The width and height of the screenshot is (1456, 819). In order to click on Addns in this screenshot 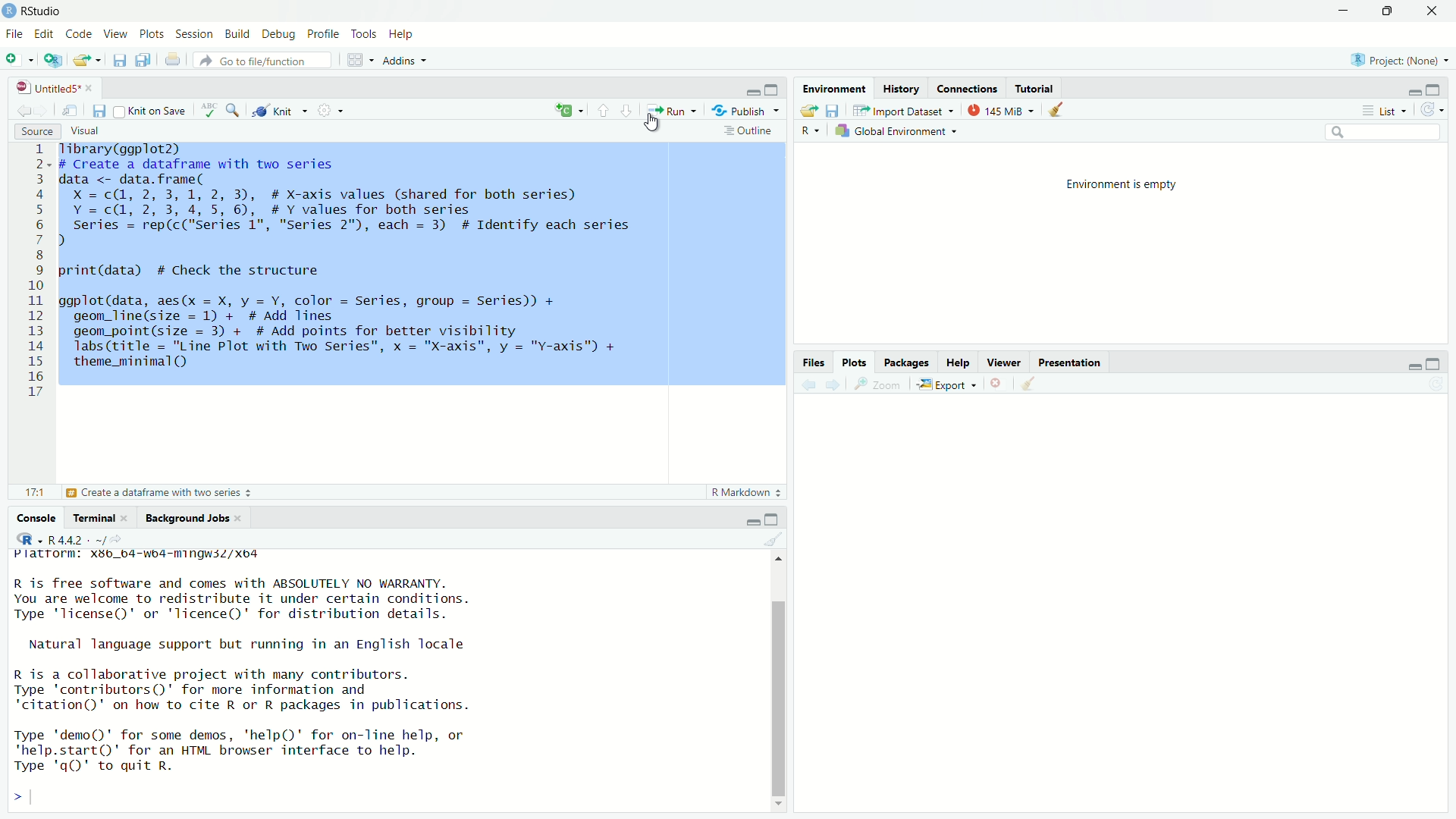, I will do `click(409, 63)`.